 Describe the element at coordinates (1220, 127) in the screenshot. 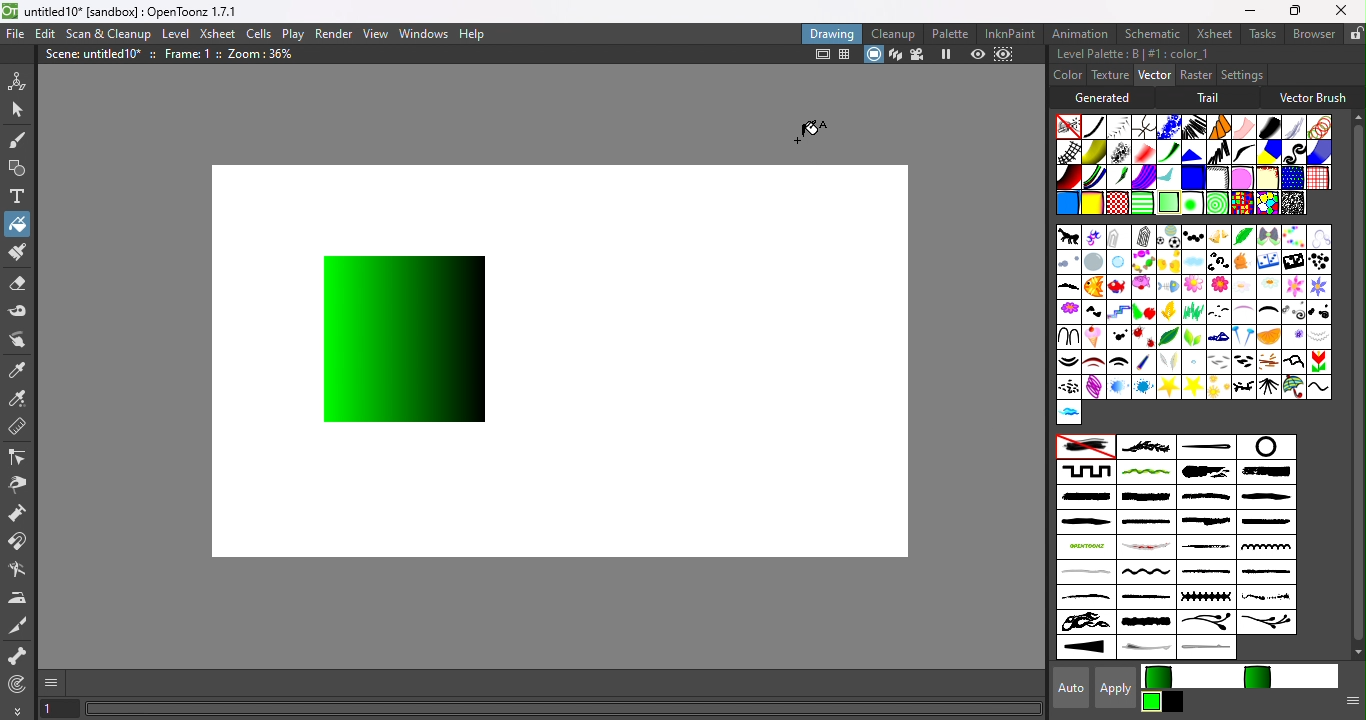

I see `Rope` at that location.